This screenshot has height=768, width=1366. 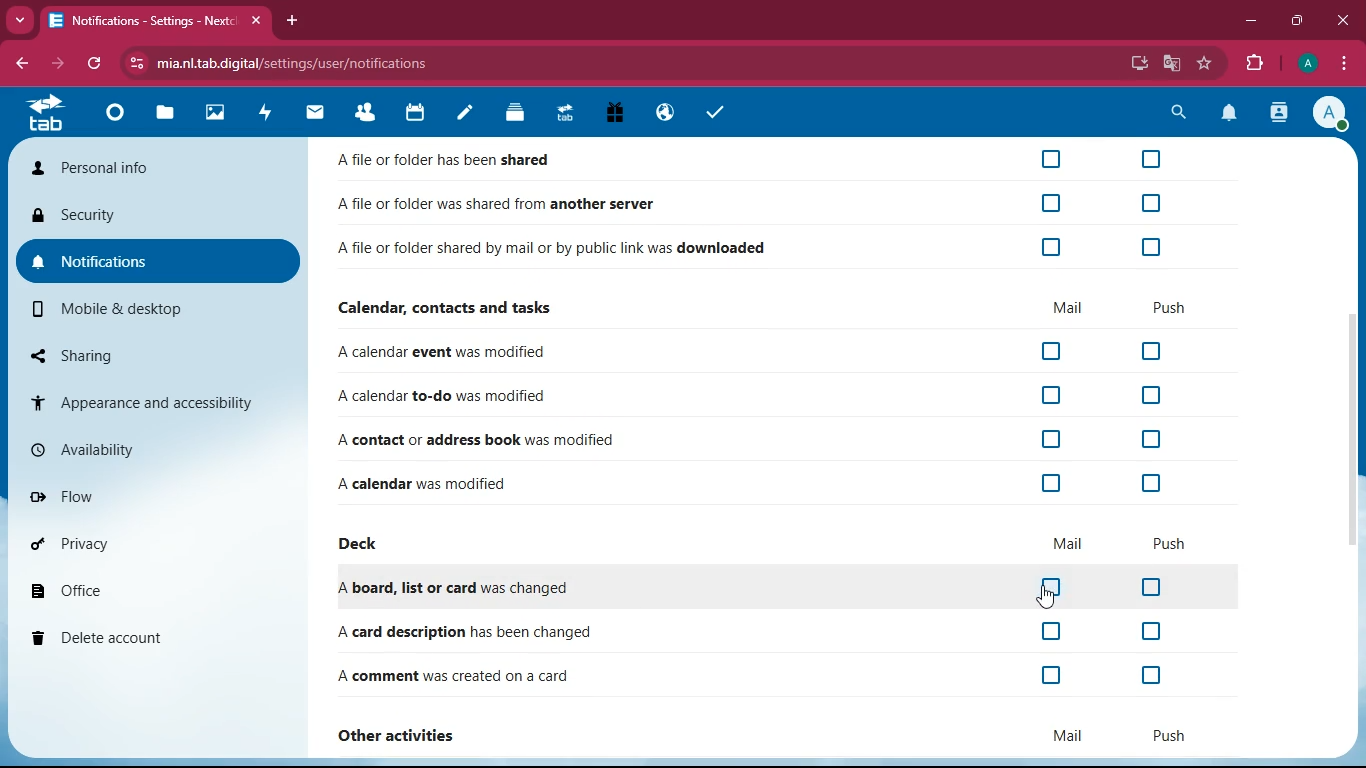 What do you see at coordinates (153, 640) in the screenshot?
I see `delete account` at bounding box center [153, 640].